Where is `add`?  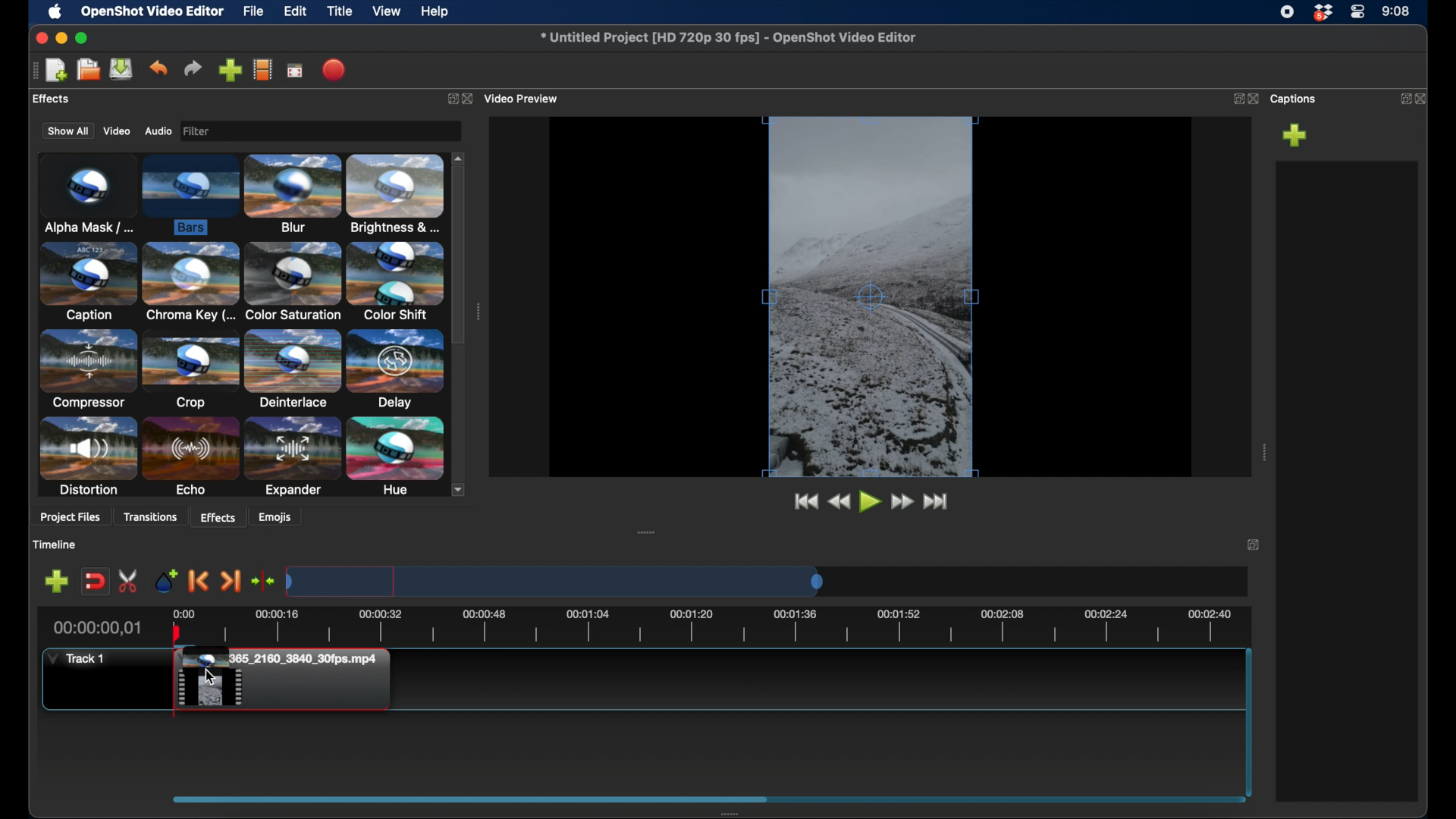
add is located at coordinates (1295, 135).